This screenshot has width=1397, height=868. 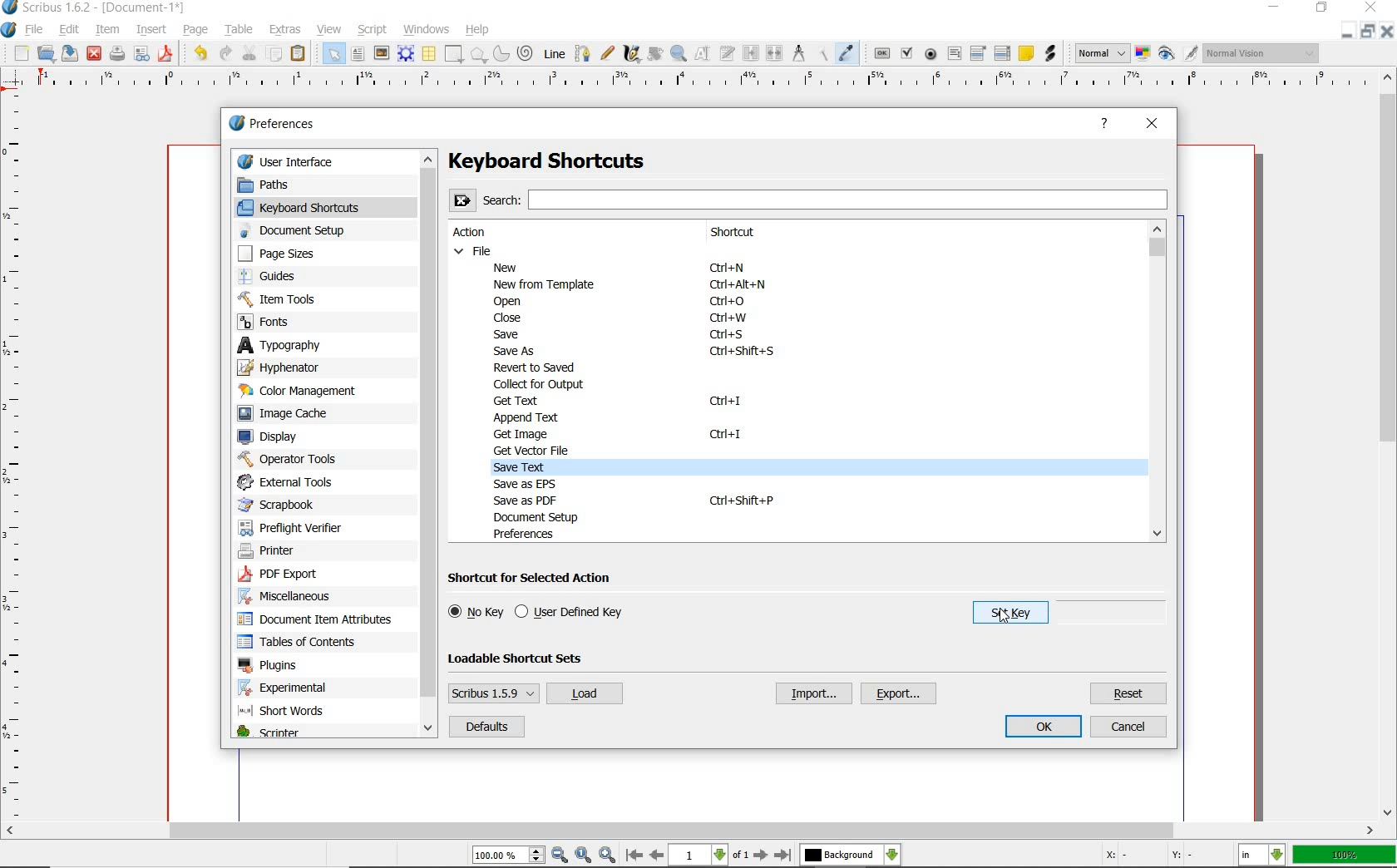 I want to click on Ctrl + Shift + P, so click(x=741, y=500).